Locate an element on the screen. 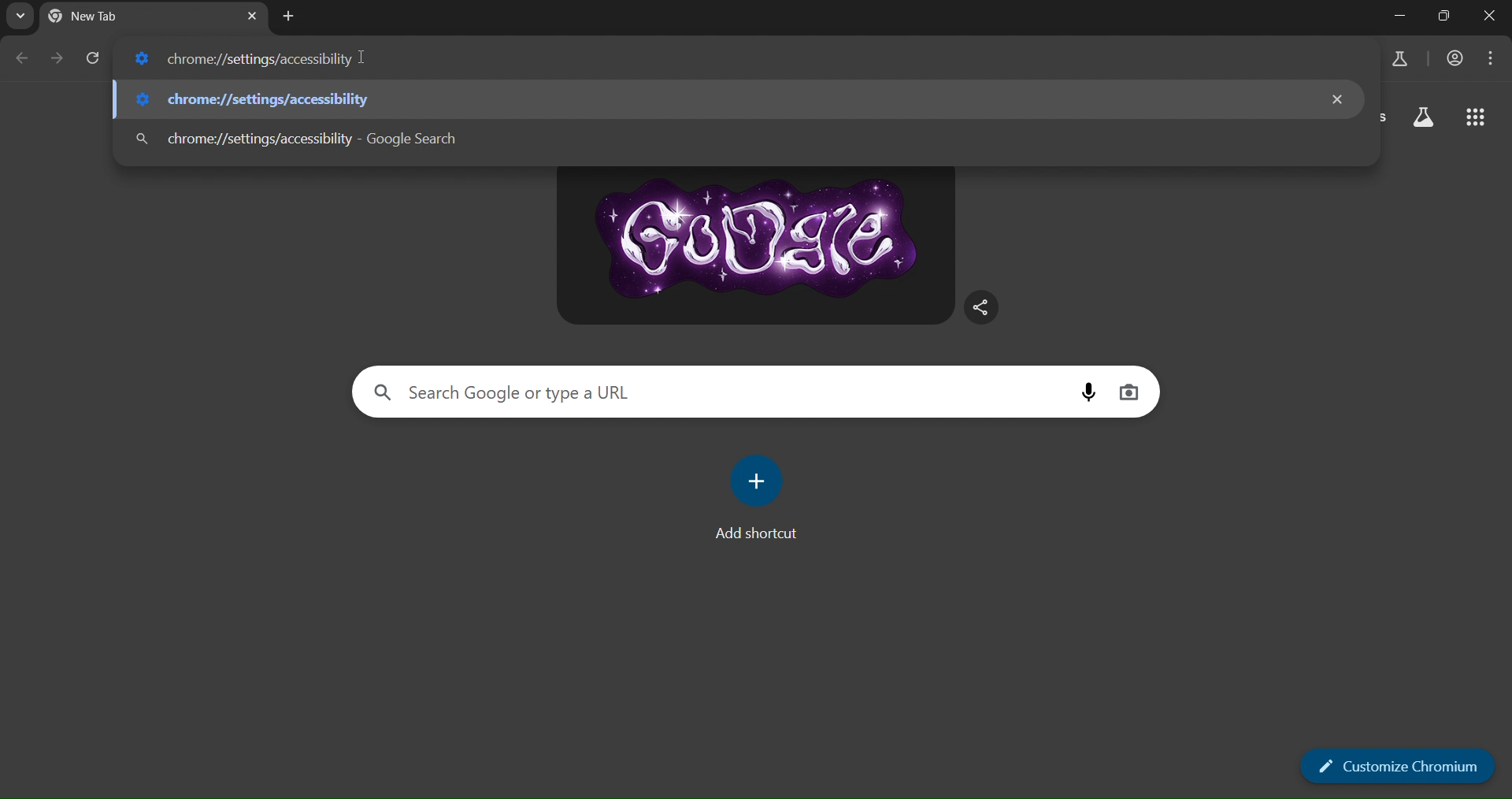 The height and width of the screenshot is (799, 1512). go forward one page is located at coordinates (60, 61).